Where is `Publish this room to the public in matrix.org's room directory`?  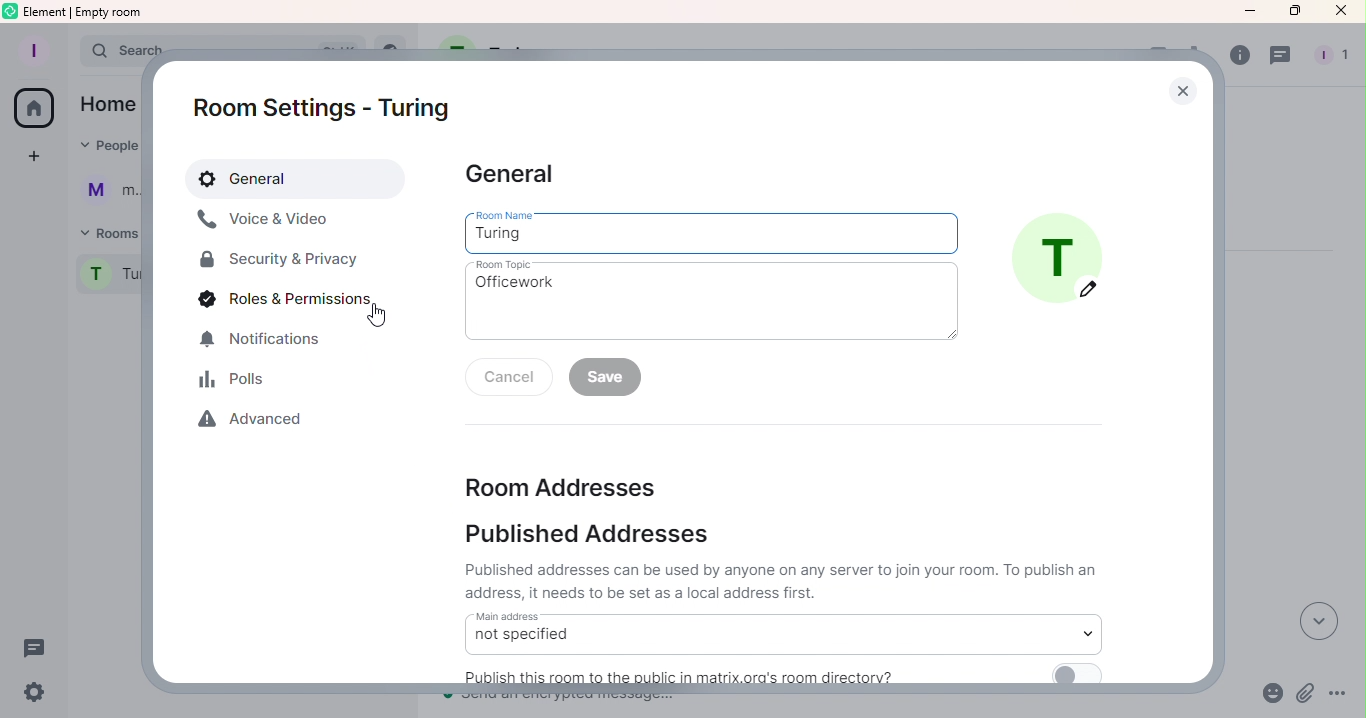
Publish this room to the public in matrix.org's room directory is located at coordinates (704, 675).